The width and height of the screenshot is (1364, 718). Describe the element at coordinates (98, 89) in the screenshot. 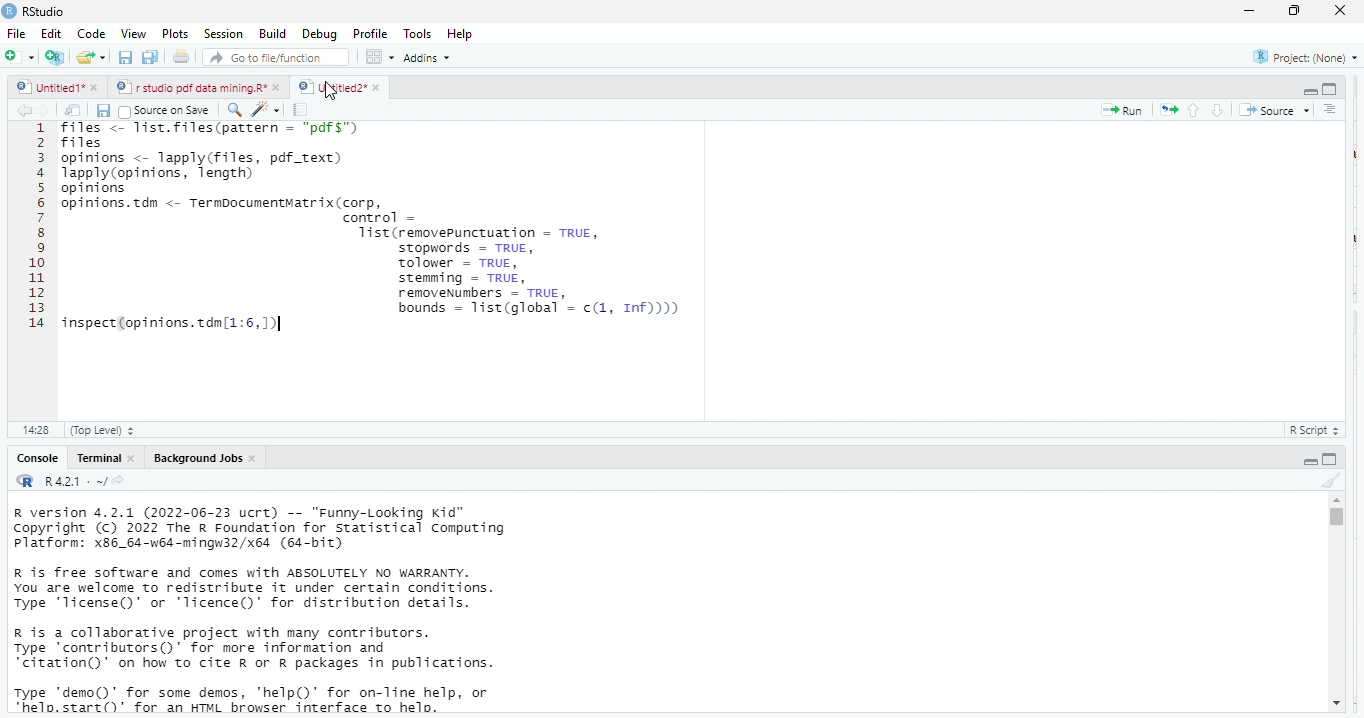

I see `close` at that location.